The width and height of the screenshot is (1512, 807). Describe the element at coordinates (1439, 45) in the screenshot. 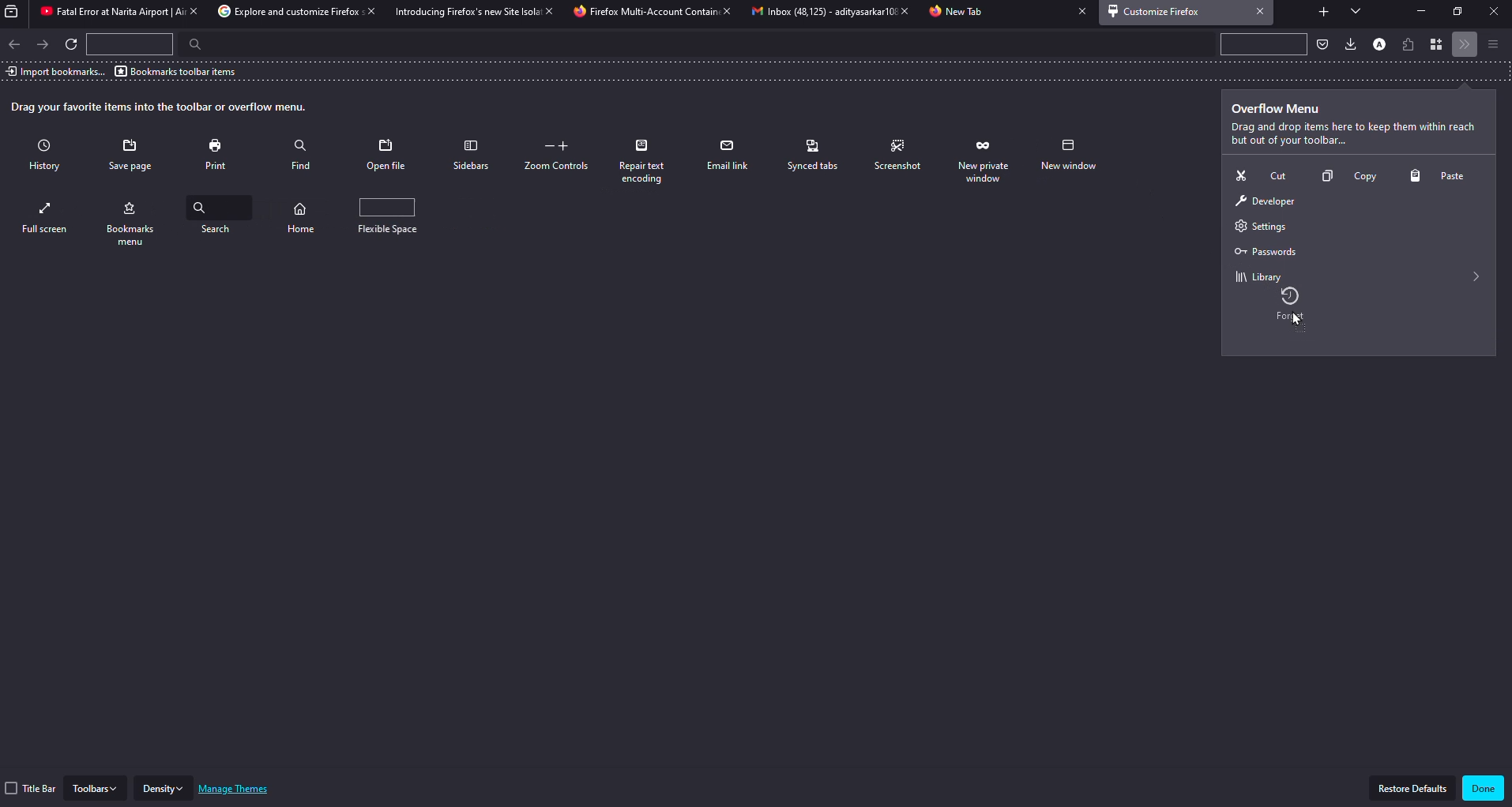

I see `container` at that location.